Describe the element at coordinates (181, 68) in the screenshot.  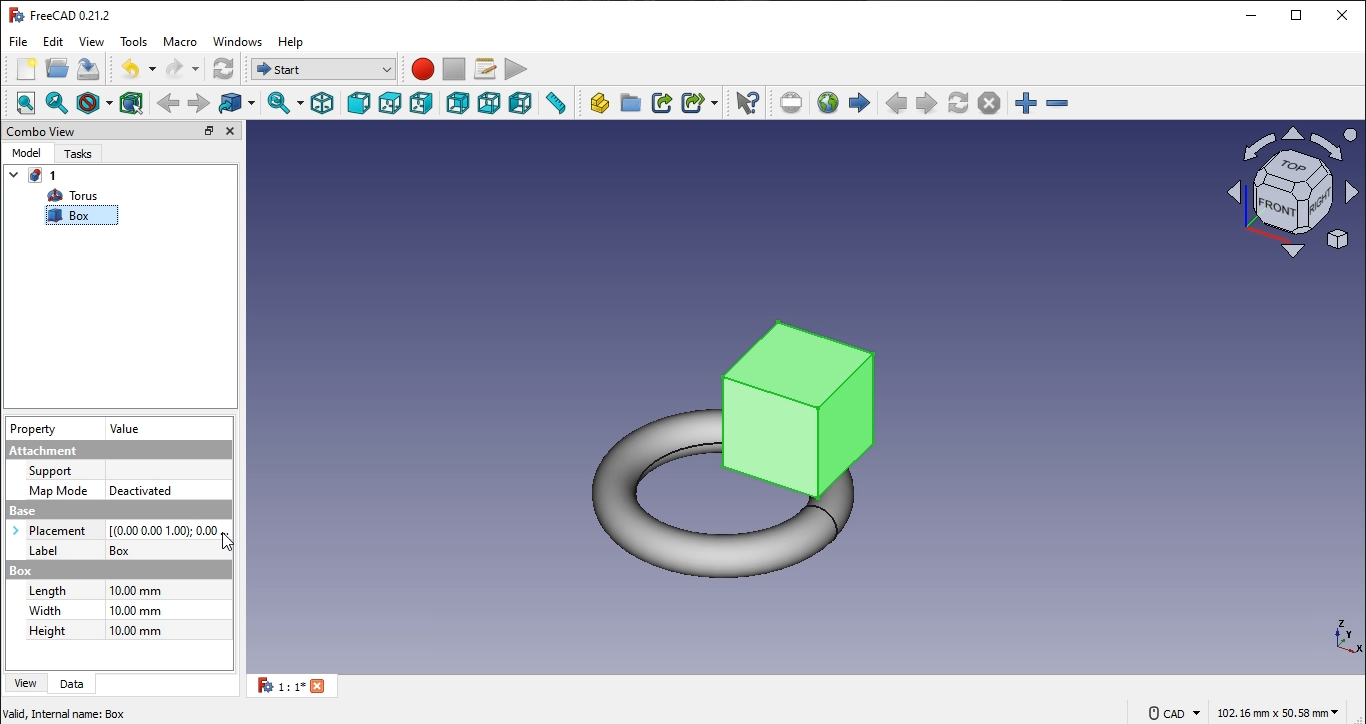
I see `redo` at that location.